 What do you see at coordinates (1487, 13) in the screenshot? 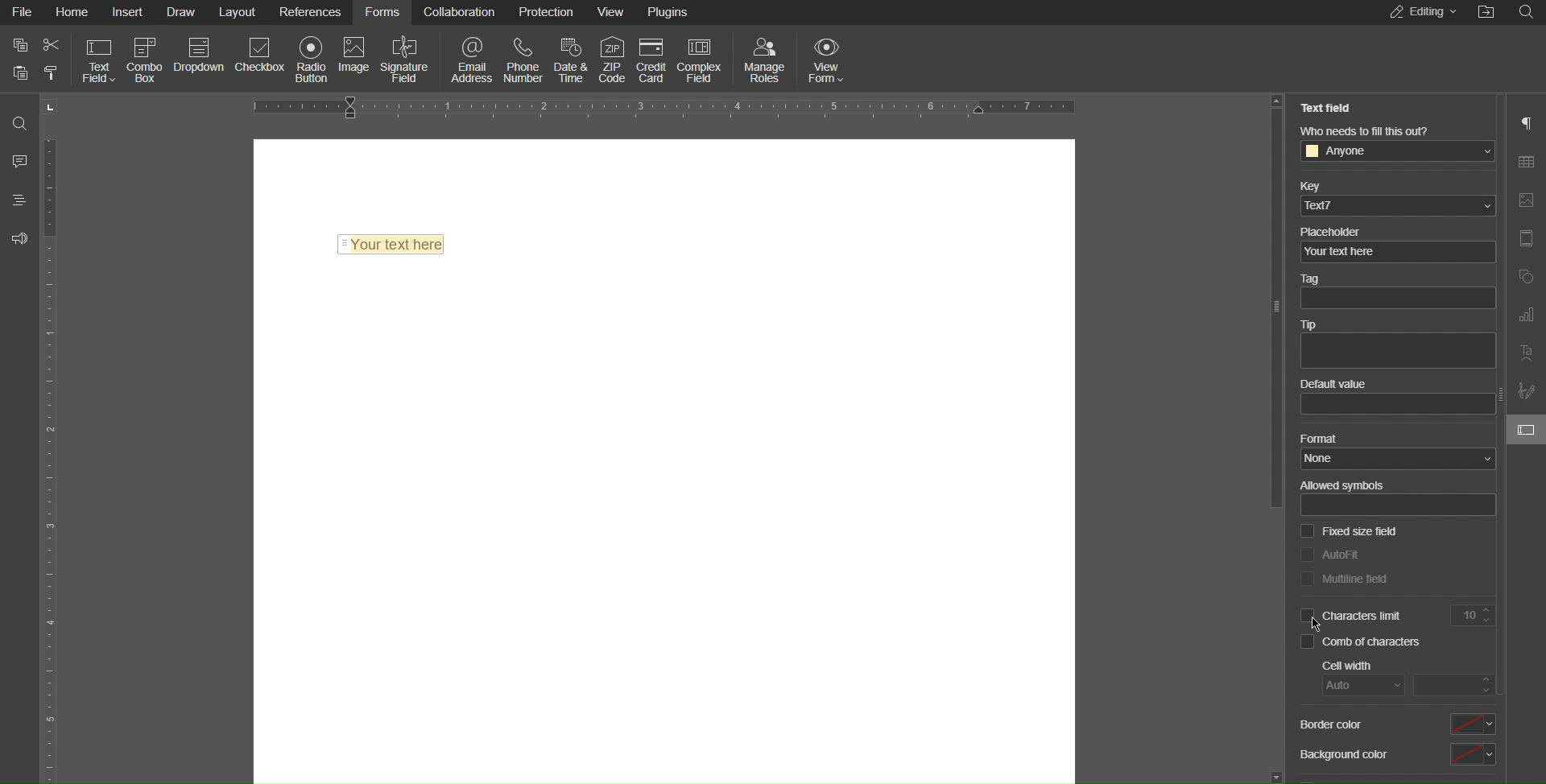
I see `Open File Location` at bounding box center [1487, 13].